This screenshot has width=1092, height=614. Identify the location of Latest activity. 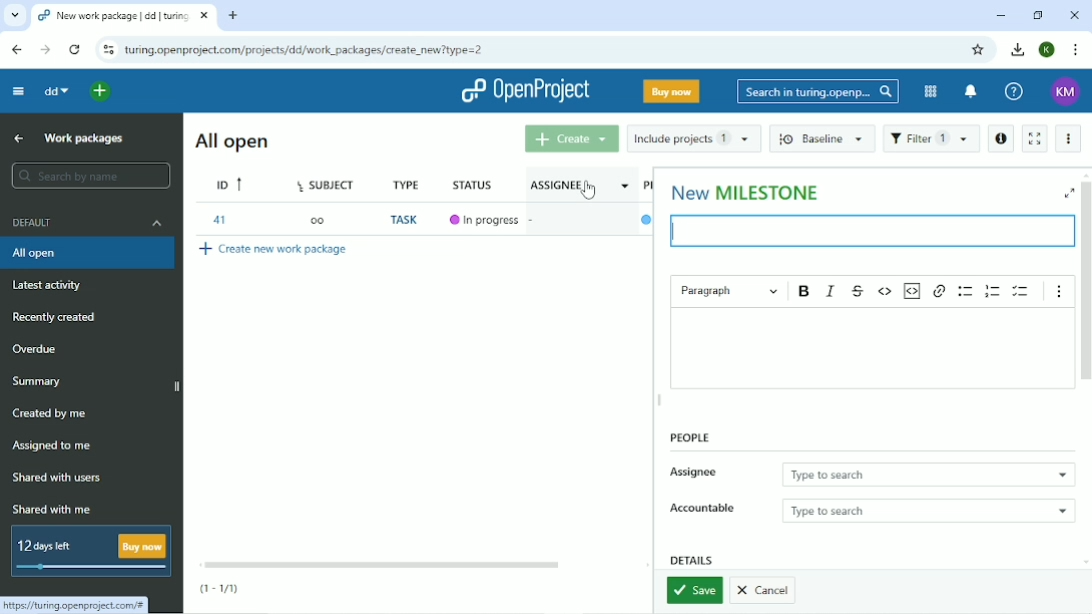
(54, 288).